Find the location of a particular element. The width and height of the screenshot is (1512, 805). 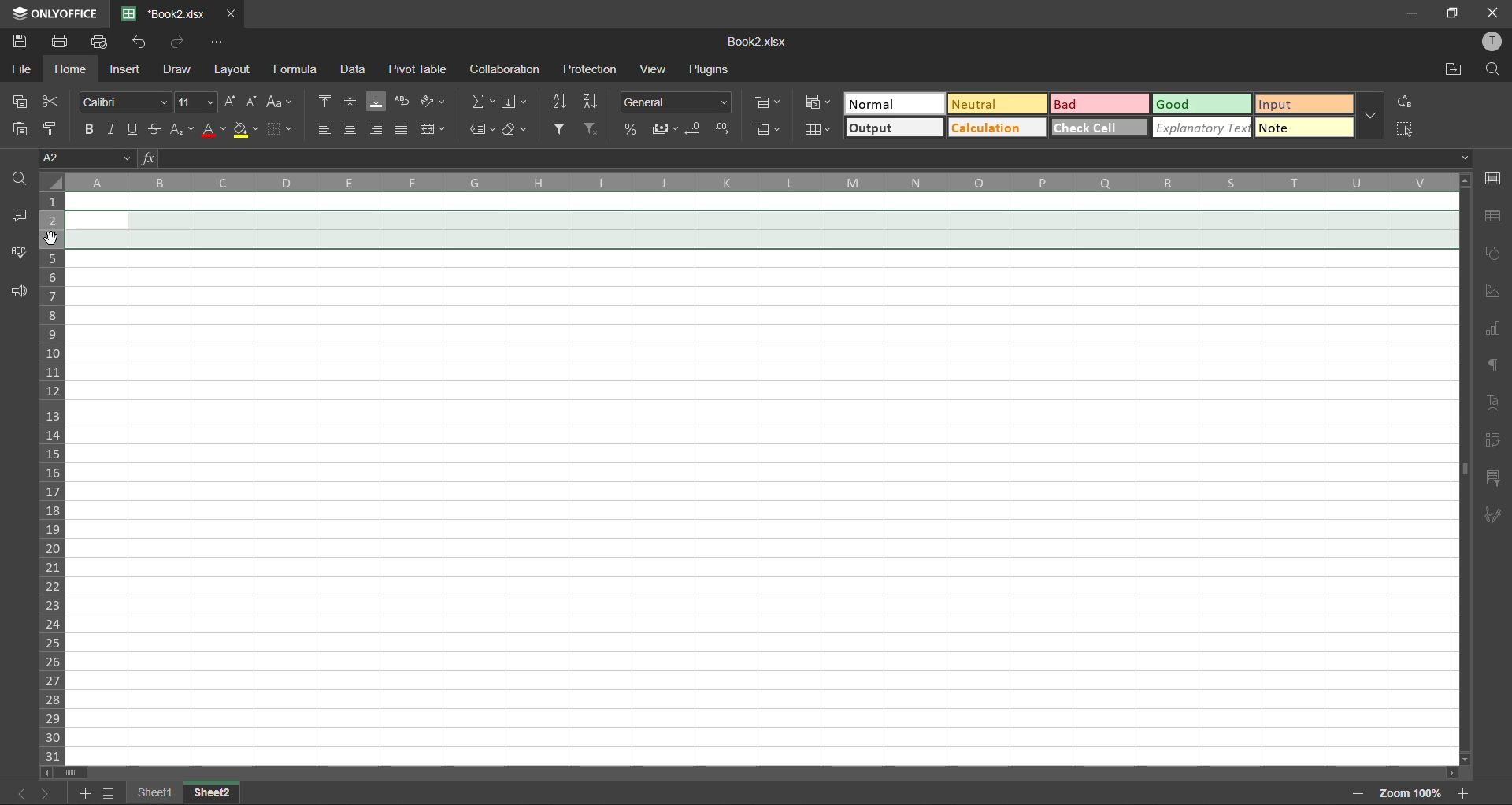

sort descending is located at coordinates (594, 102).